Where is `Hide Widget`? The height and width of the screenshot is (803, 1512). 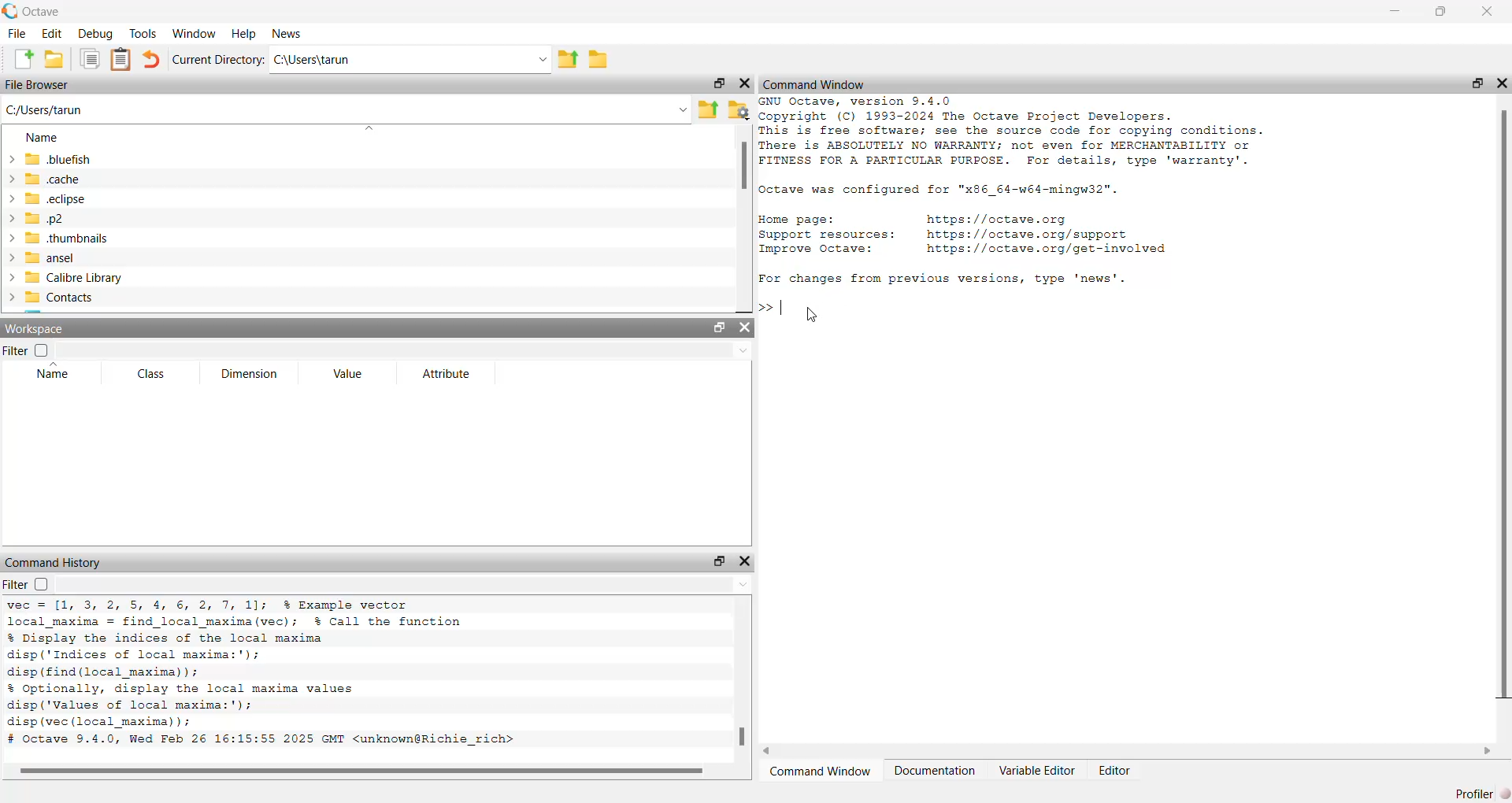 Hide Widget is located at coordinates (1501, 83).